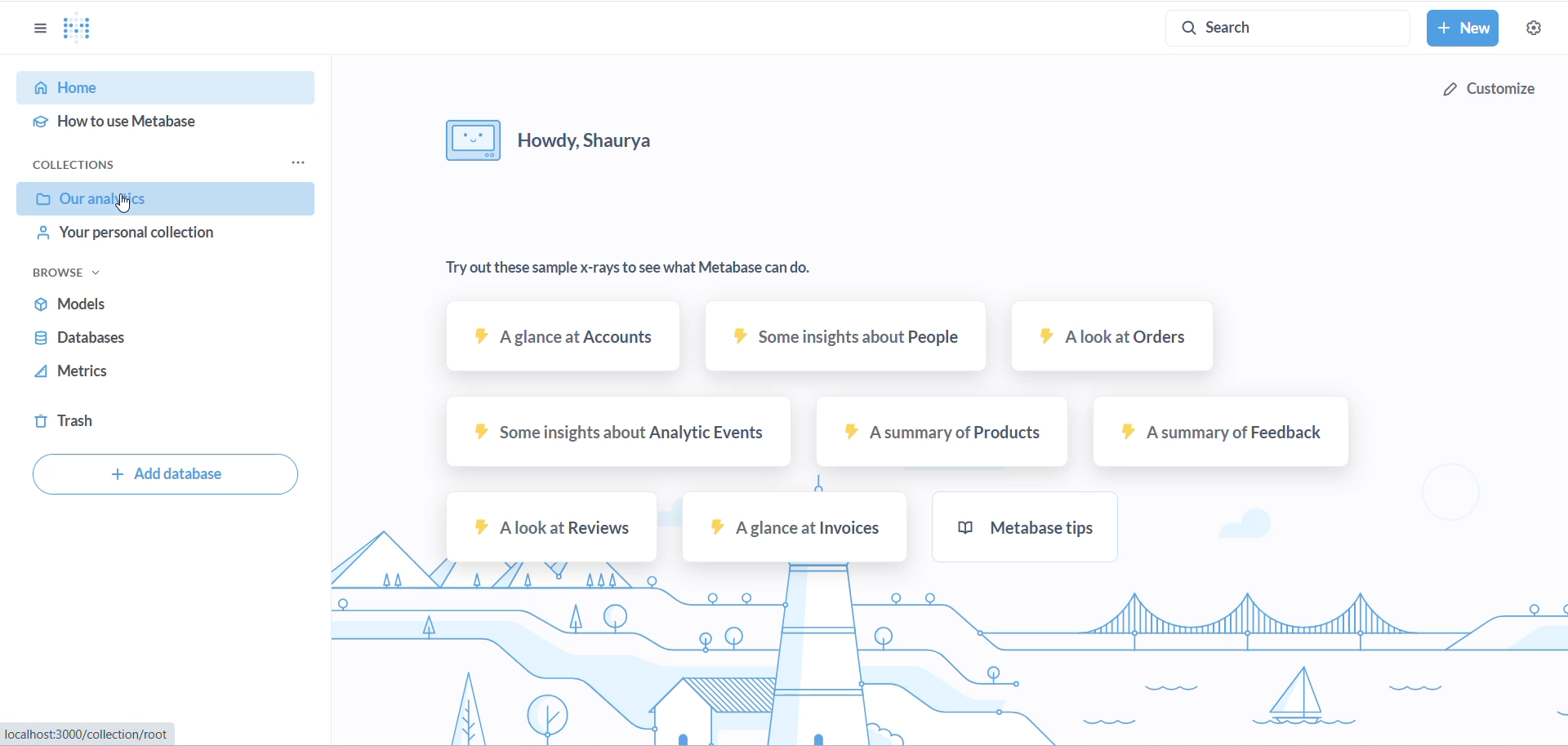  What do you see at coordinates (844, 340) in the screenshot?
I see `some insights about people` at bounding box center [844, 340].